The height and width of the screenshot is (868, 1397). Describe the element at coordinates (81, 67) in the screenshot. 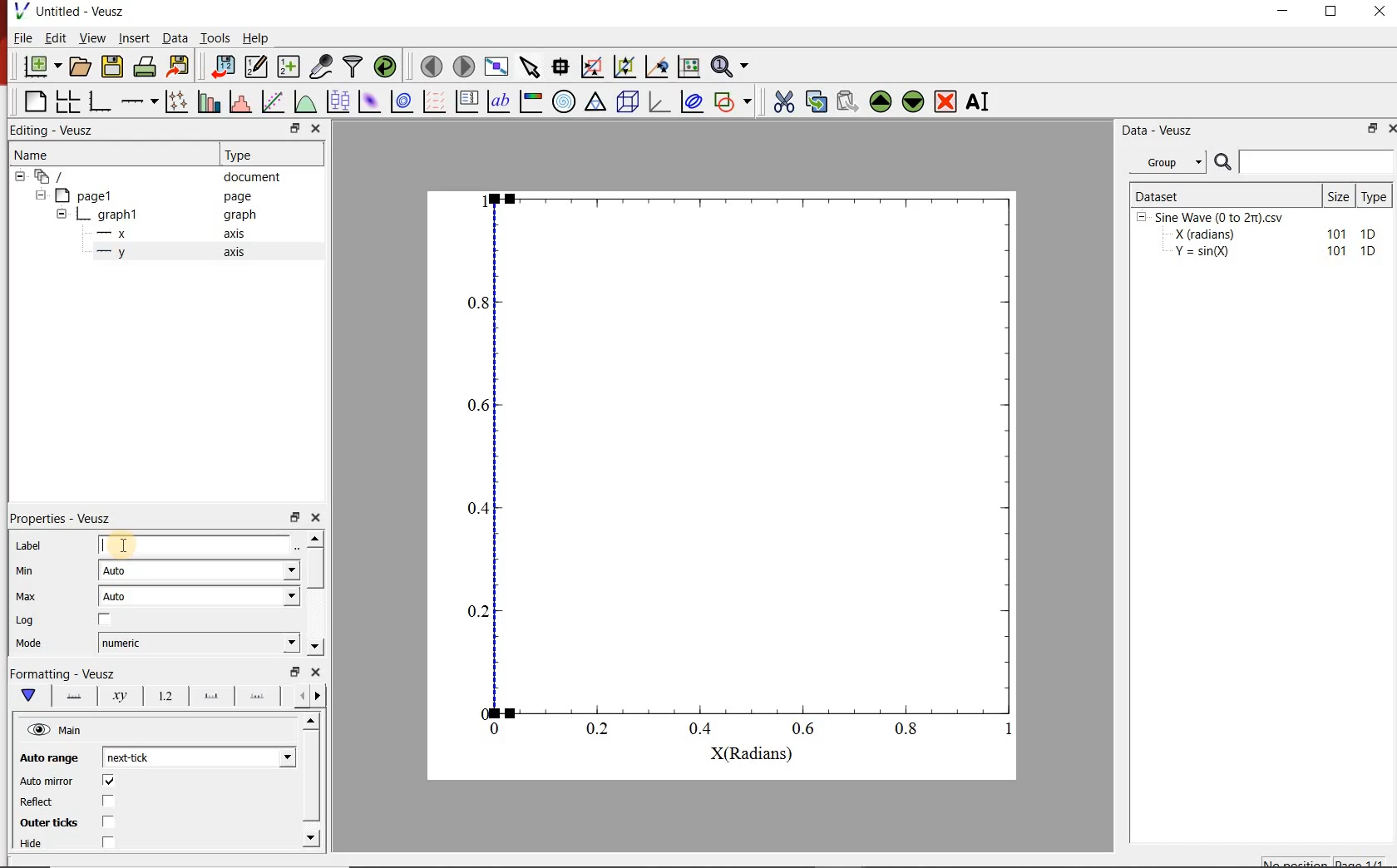

I see `open document` at that location.